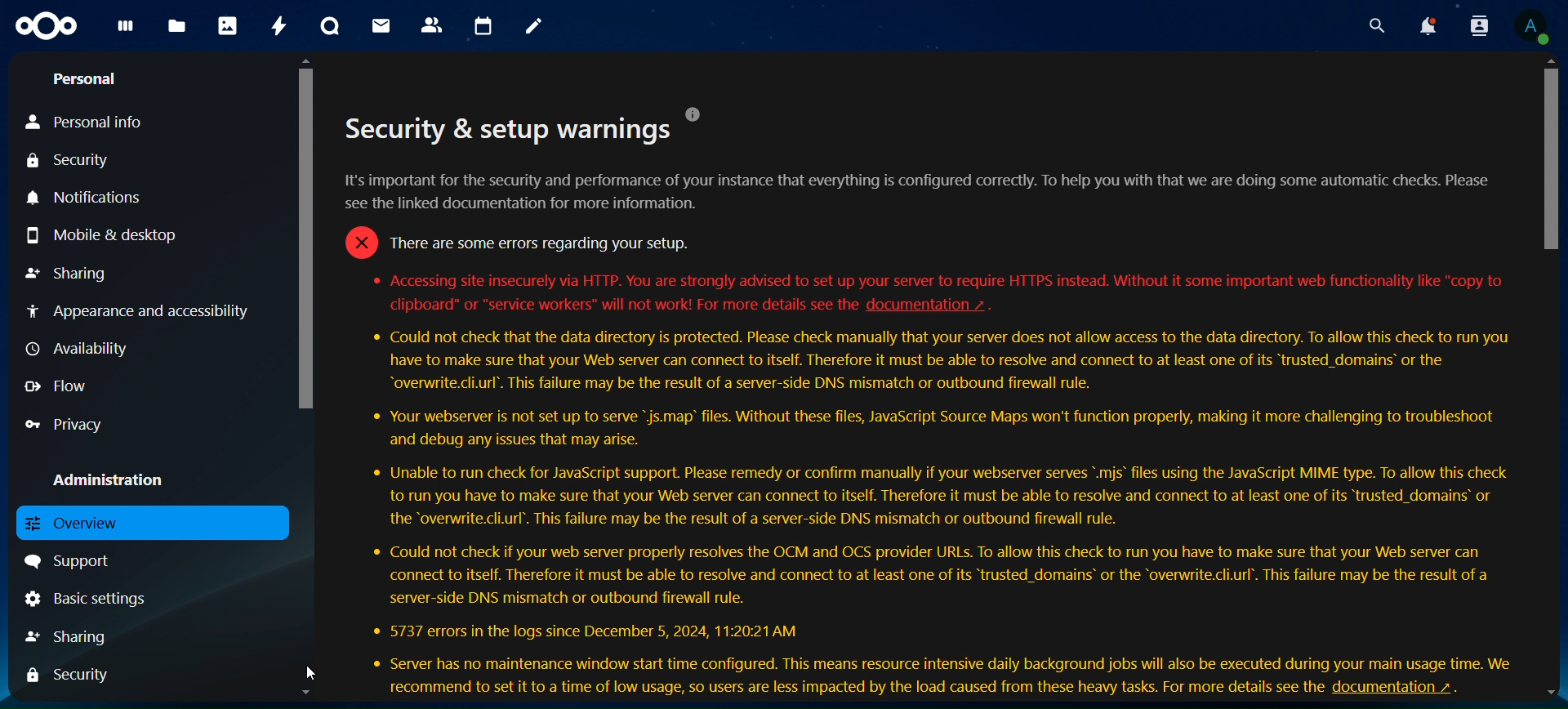 This screenshot has width=1568, height=709. I want to click on security, so click(73, 676).